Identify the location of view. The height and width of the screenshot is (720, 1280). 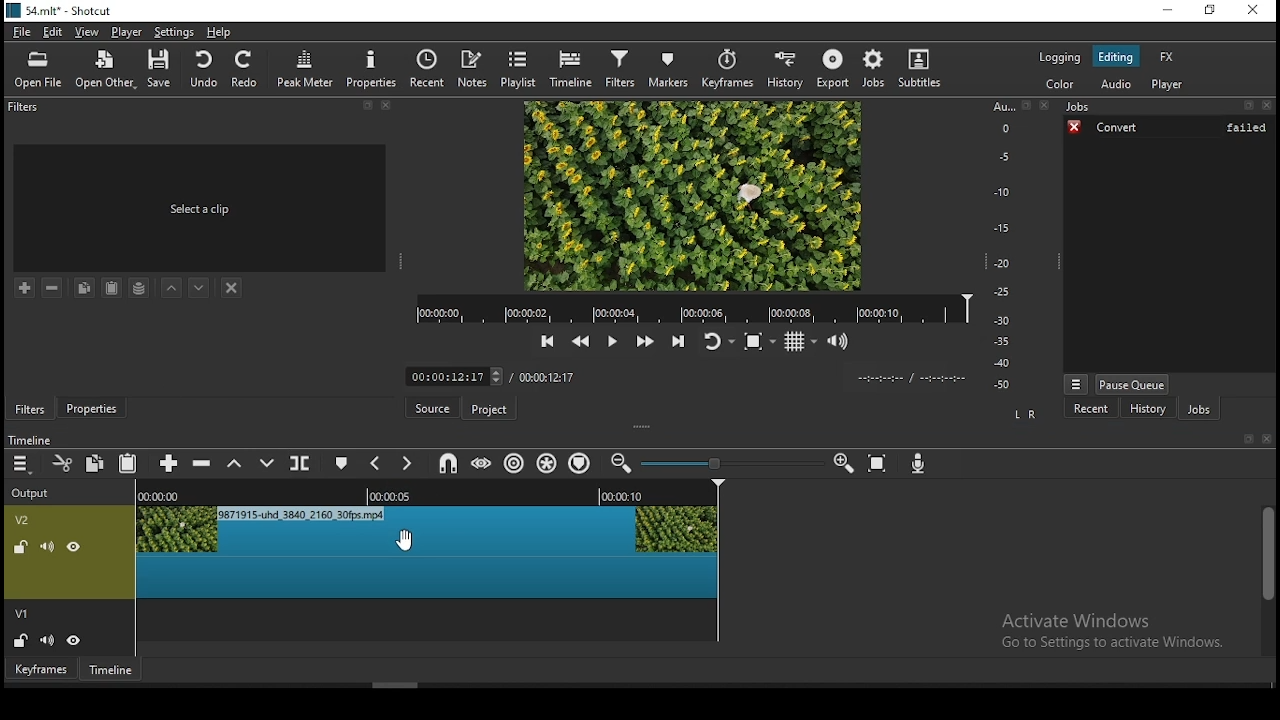
(87, 33).